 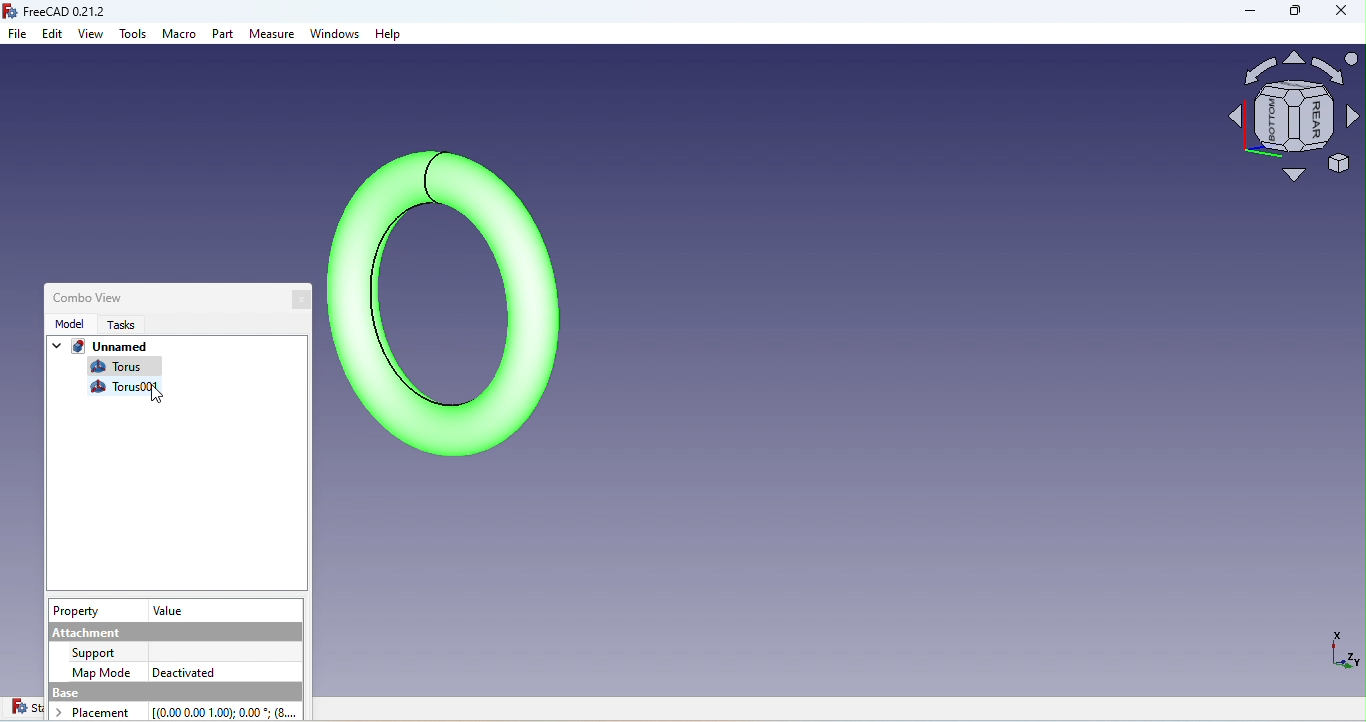 I want to click on Minimize, so click(x=1241, y=14).